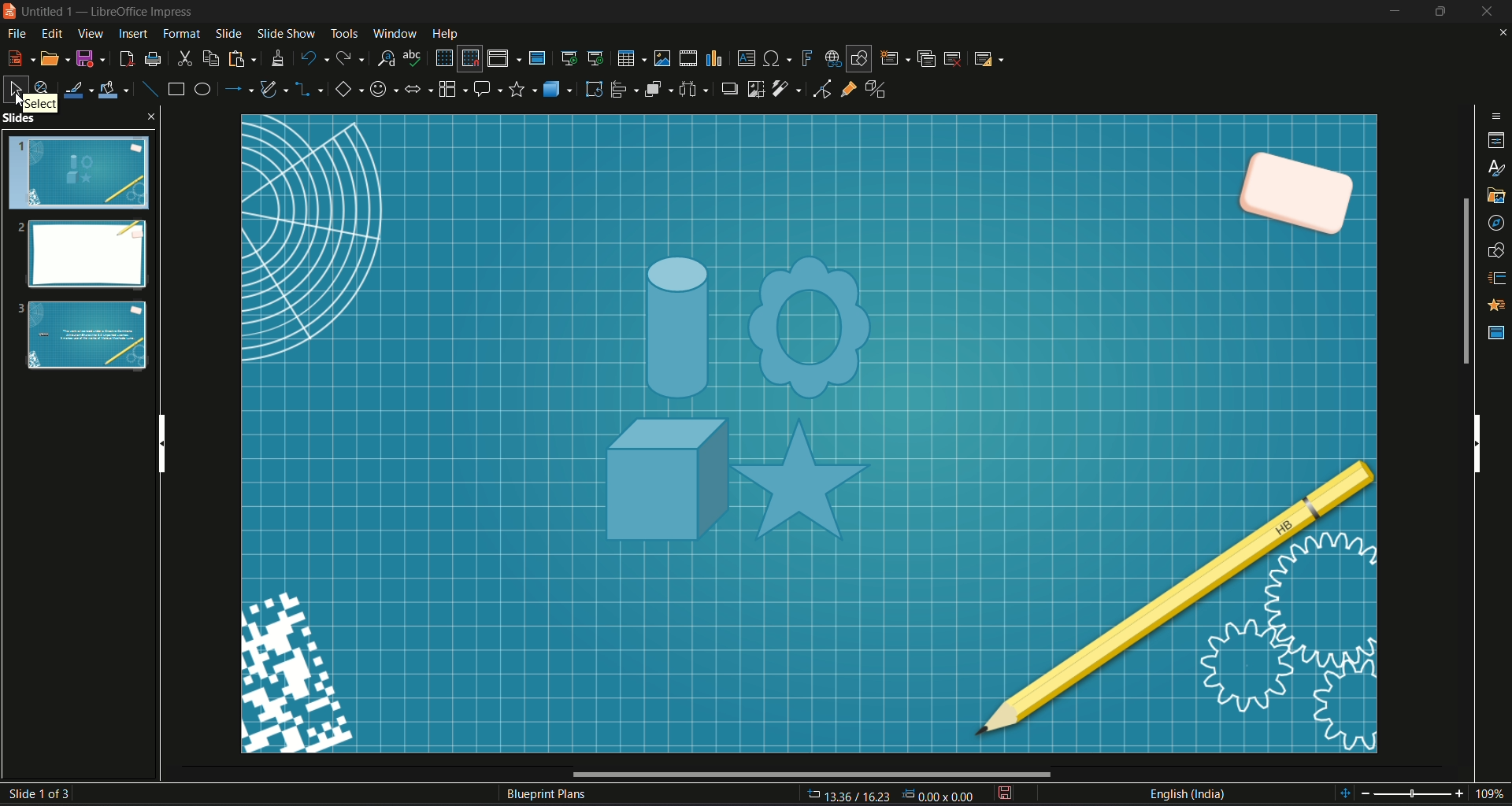  Describe the element at coordinates (391, 32) in the screenshot. I see `Window` at that location.